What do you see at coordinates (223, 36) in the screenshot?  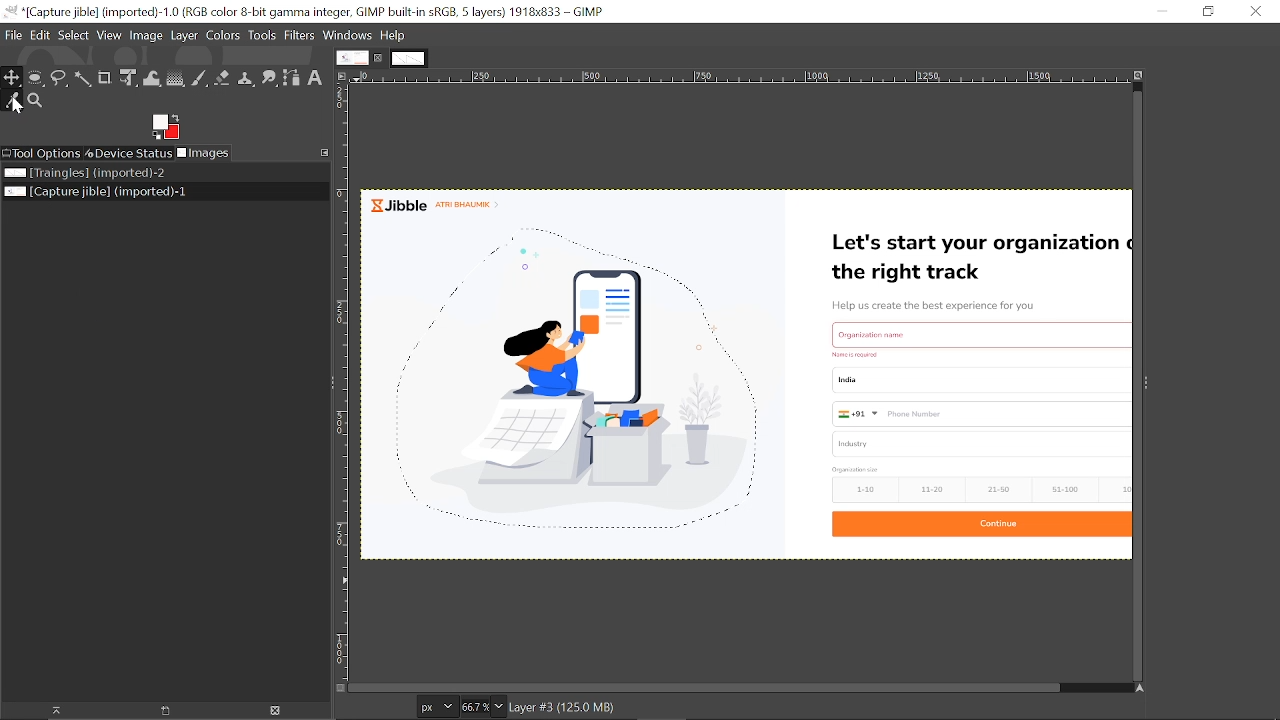 I see `Colors` at bounding box center [223, 36].